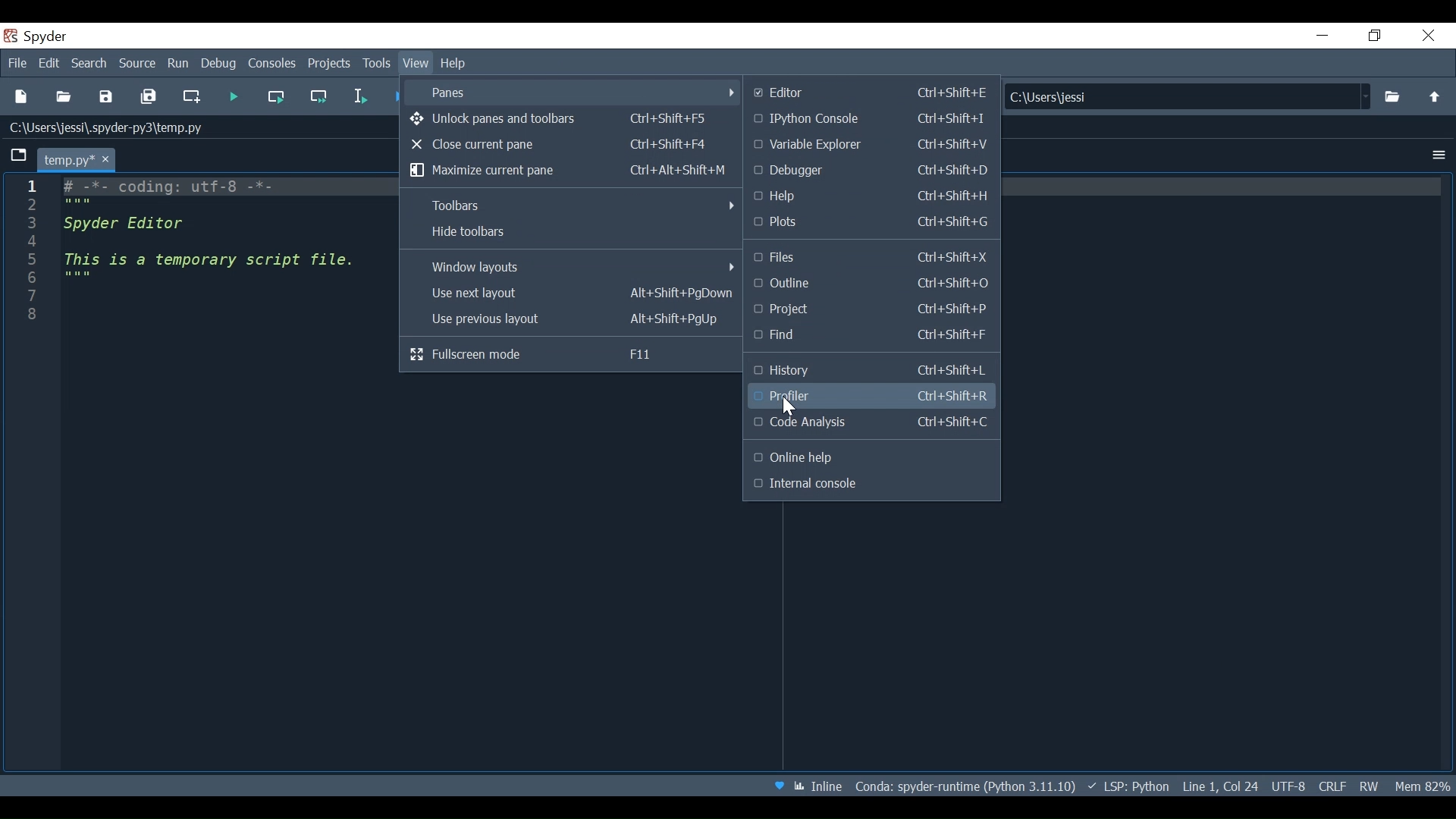 The image size is (1456, 819). Describe the element at coordinates (20, 158) in the screenshot. I see `Browse tabs` at that location.